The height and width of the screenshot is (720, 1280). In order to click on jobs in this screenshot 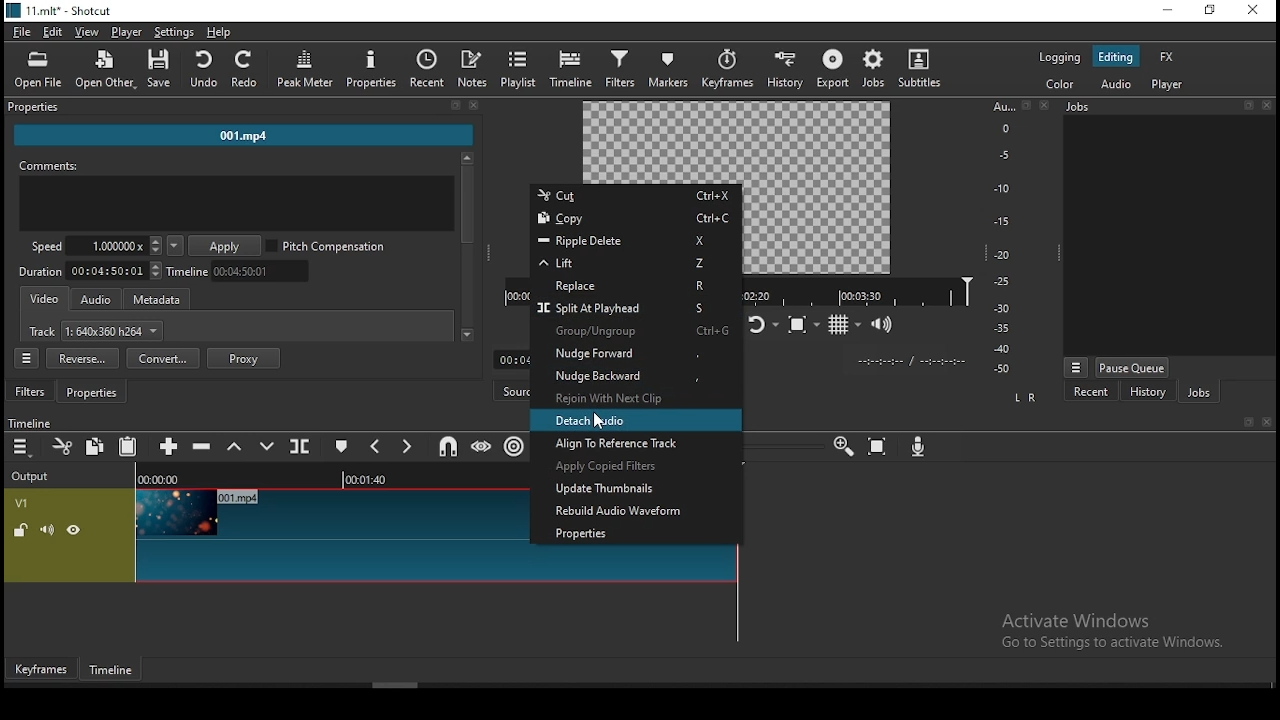, I will do `click(872, 69)`.